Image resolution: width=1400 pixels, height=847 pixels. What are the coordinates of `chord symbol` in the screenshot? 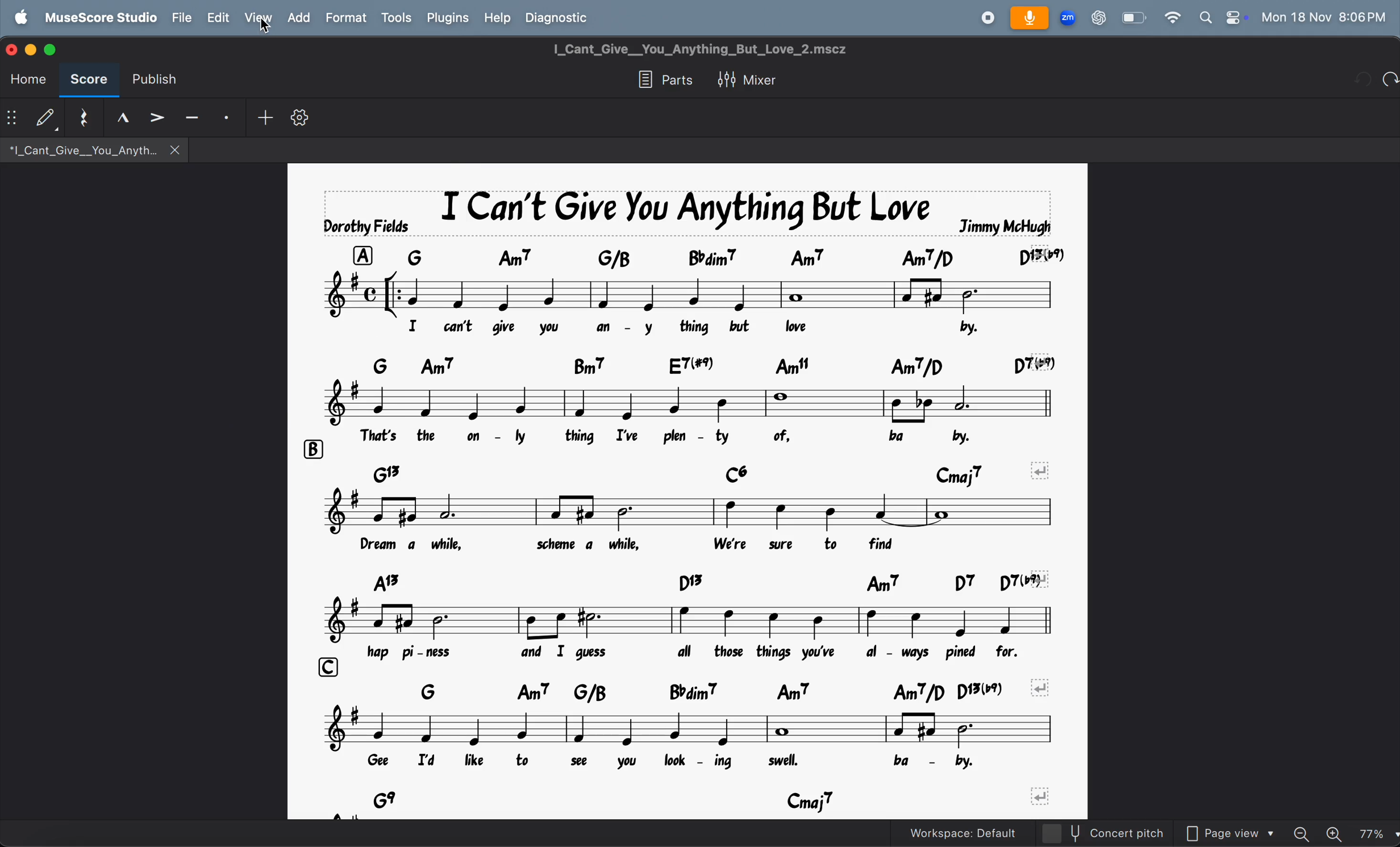 It's located at (715, 365).